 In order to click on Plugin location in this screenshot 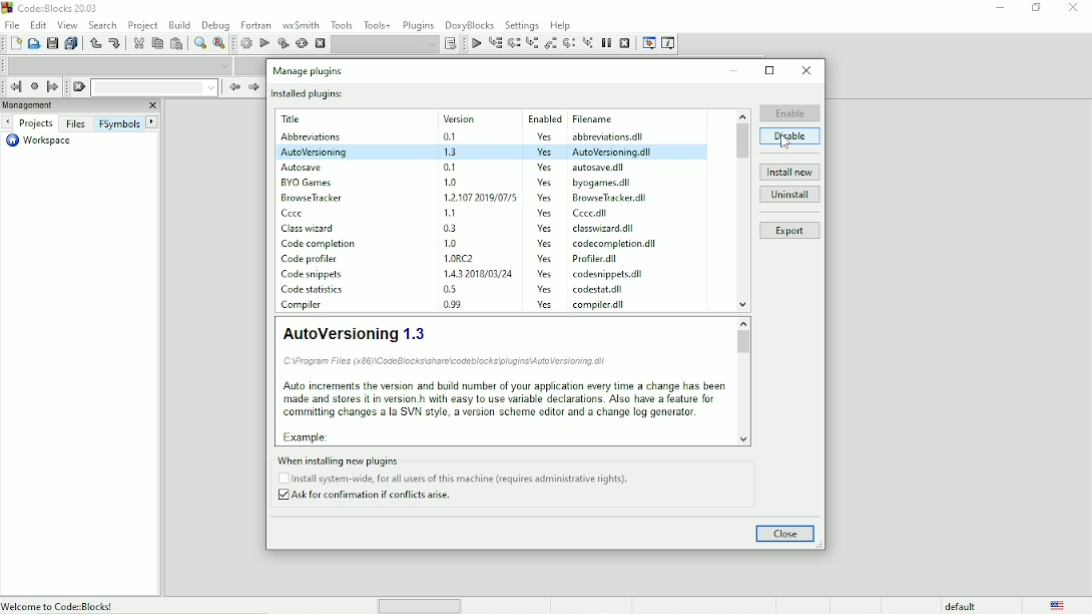, I will do `click(452, 361)`.